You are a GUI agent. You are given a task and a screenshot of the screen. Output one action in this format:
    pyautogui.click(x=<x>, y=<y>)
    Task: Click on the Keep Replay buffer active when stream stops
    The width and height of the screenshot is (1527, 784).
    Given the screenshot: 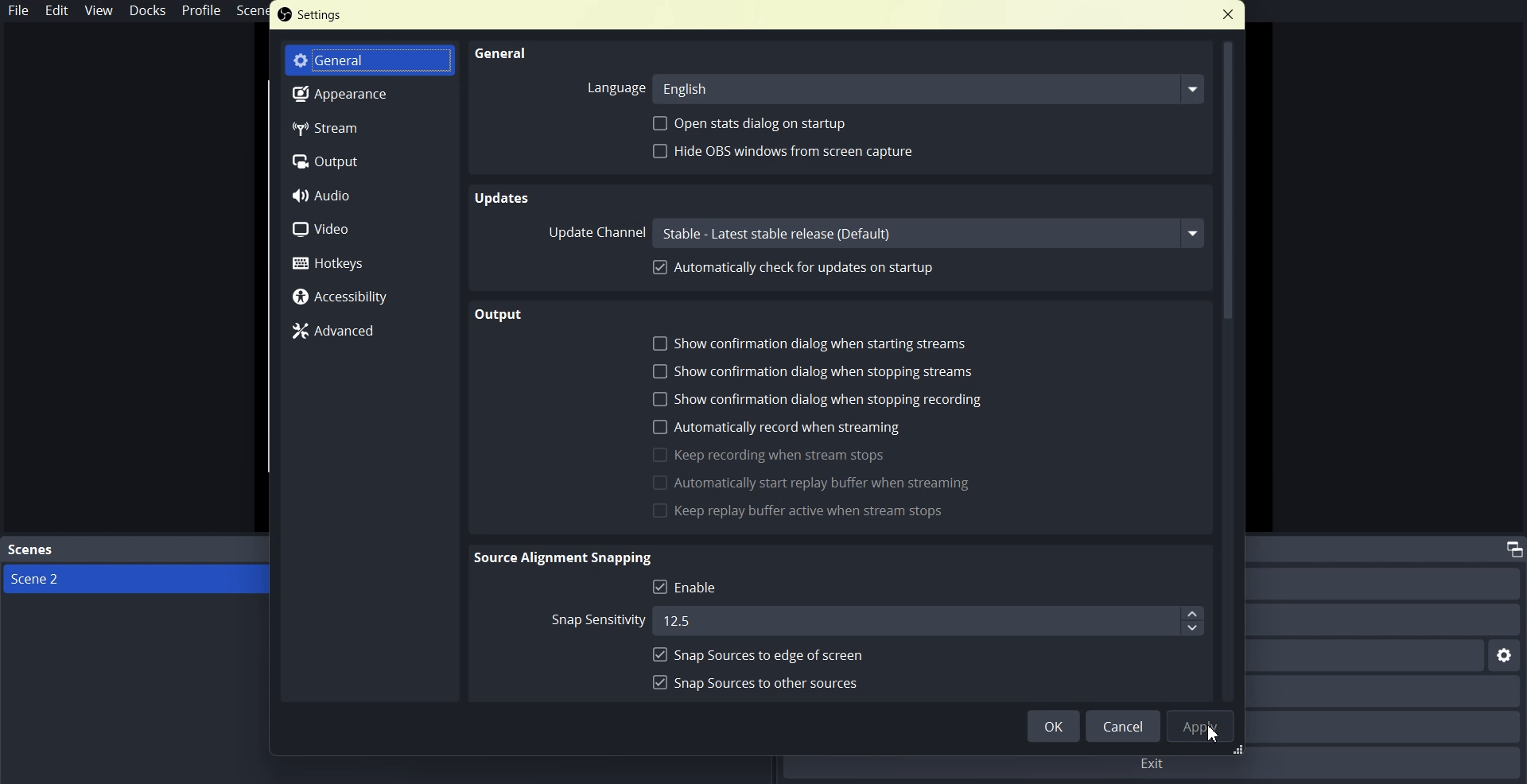 What is the action you would take?
    pyautogui.click(x=796, y=512)
    